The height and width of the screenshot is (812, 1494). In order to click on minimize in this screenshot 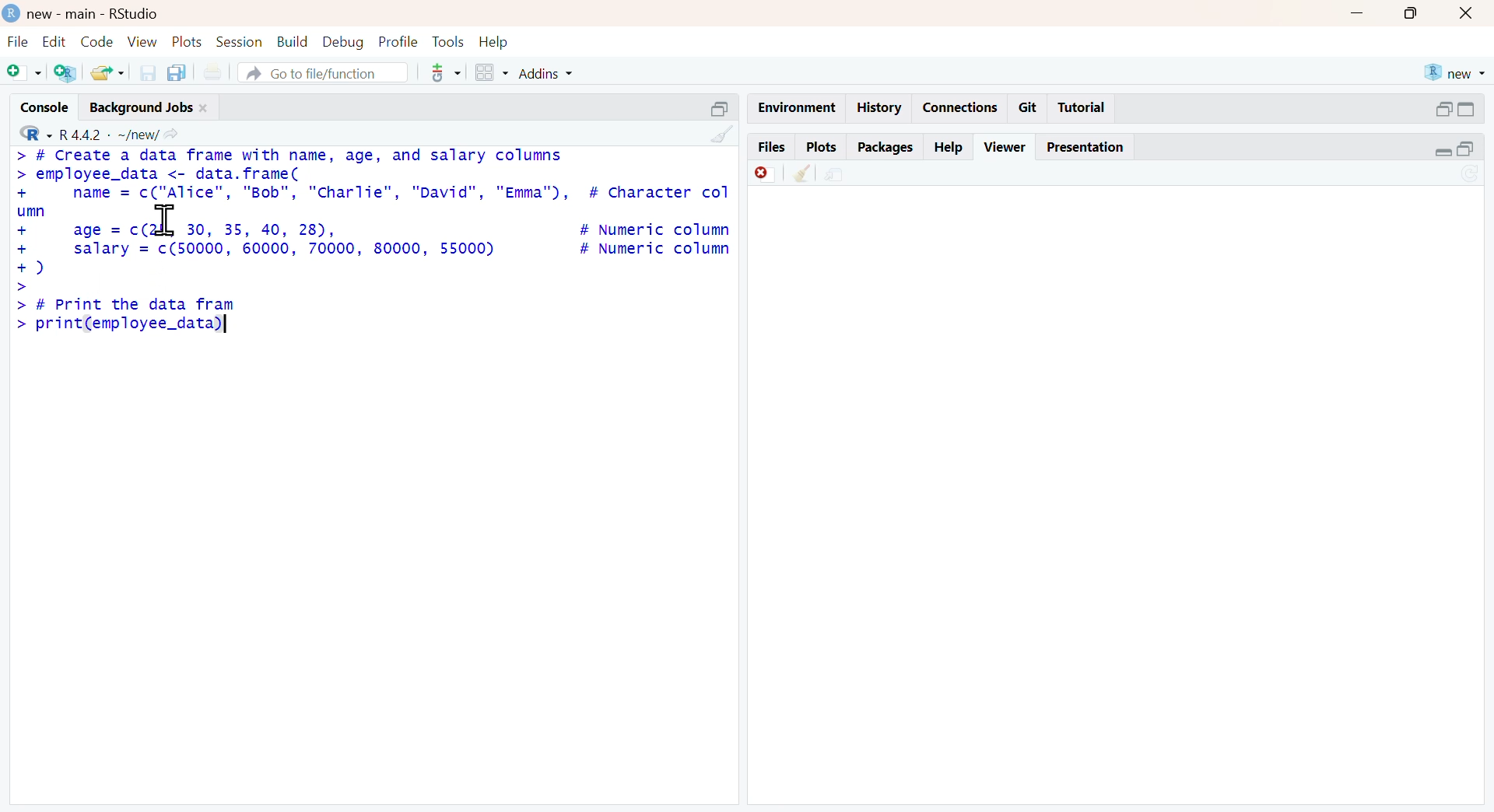, I will do `click(1366, 16)`.